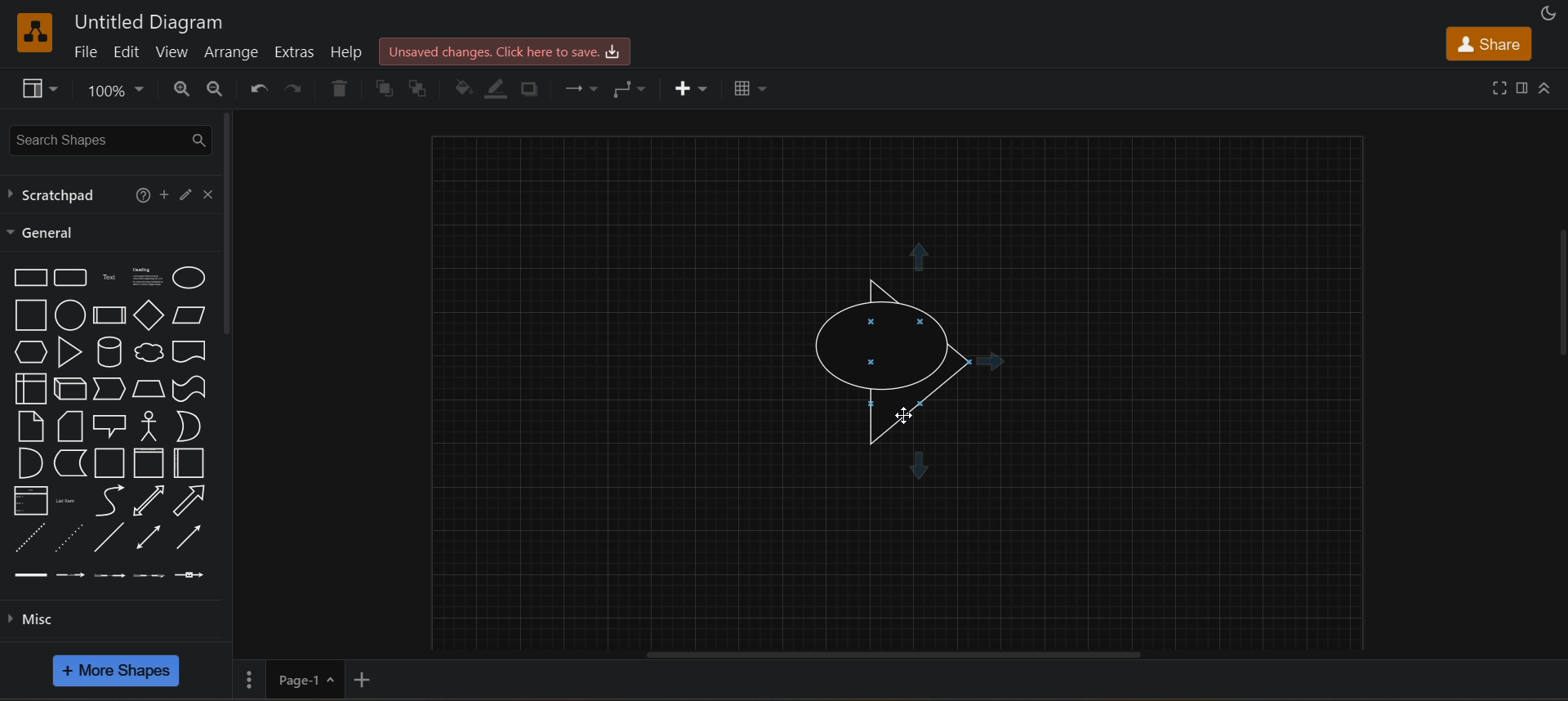 The width and height of the screenshot is (1568, 701). What do you see at coordinates (292, 87) in the screenshot?
I see `redo` at bounding box center [292, 87].